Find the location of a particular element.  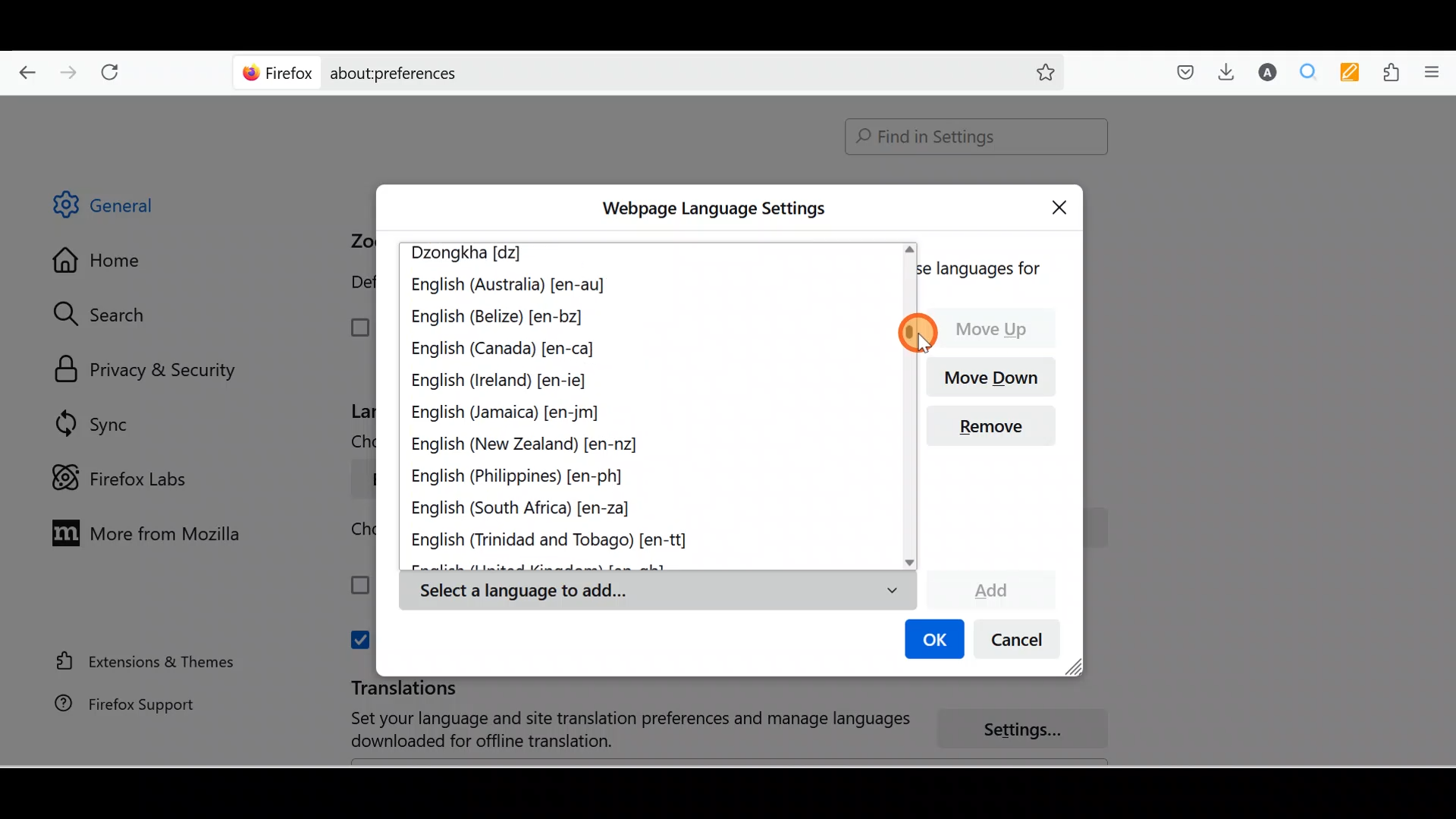

Move up is located at coordinates (999, 328).